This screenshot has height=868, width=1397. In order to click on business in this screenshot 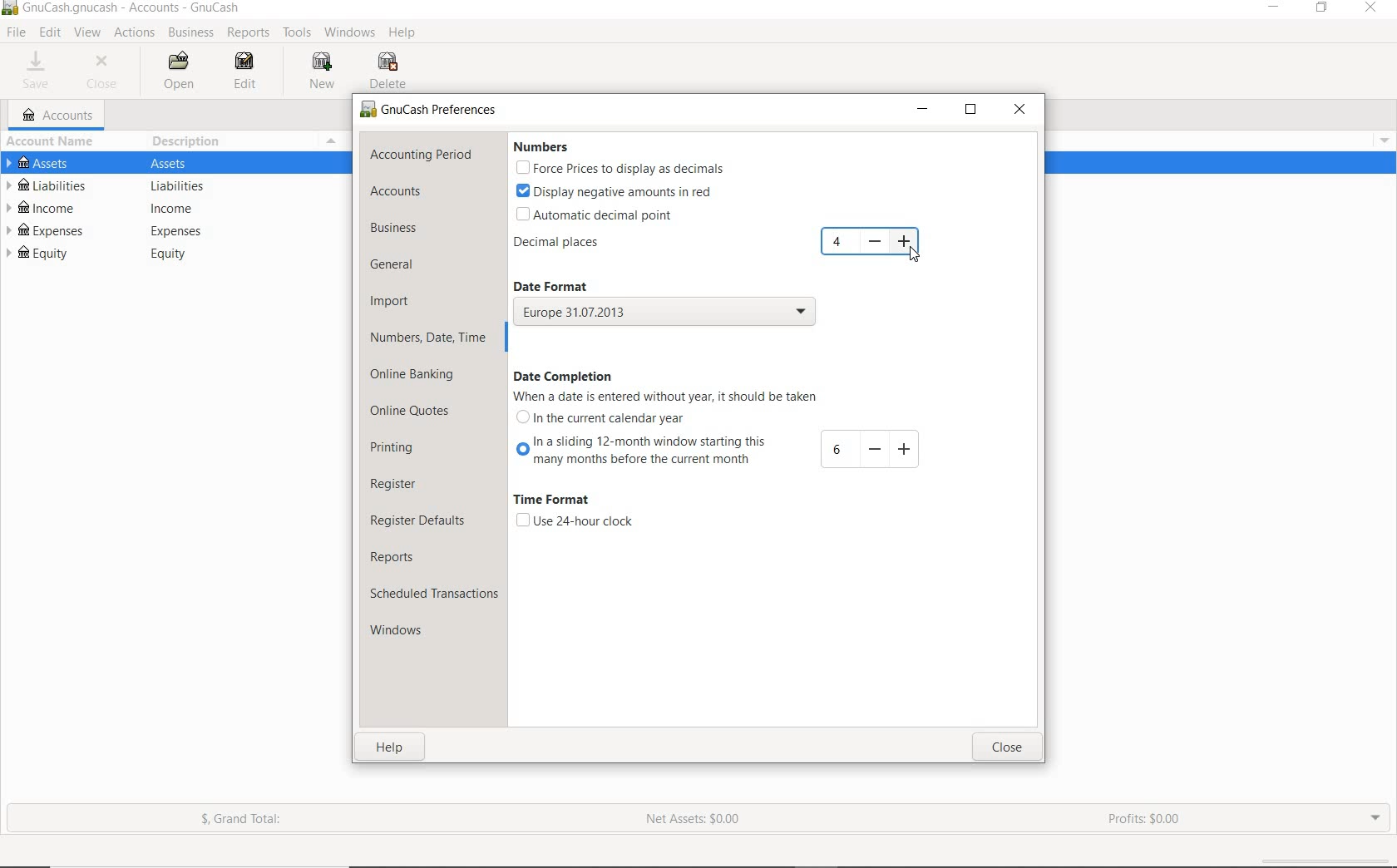, I will do `click(398, 228)`.